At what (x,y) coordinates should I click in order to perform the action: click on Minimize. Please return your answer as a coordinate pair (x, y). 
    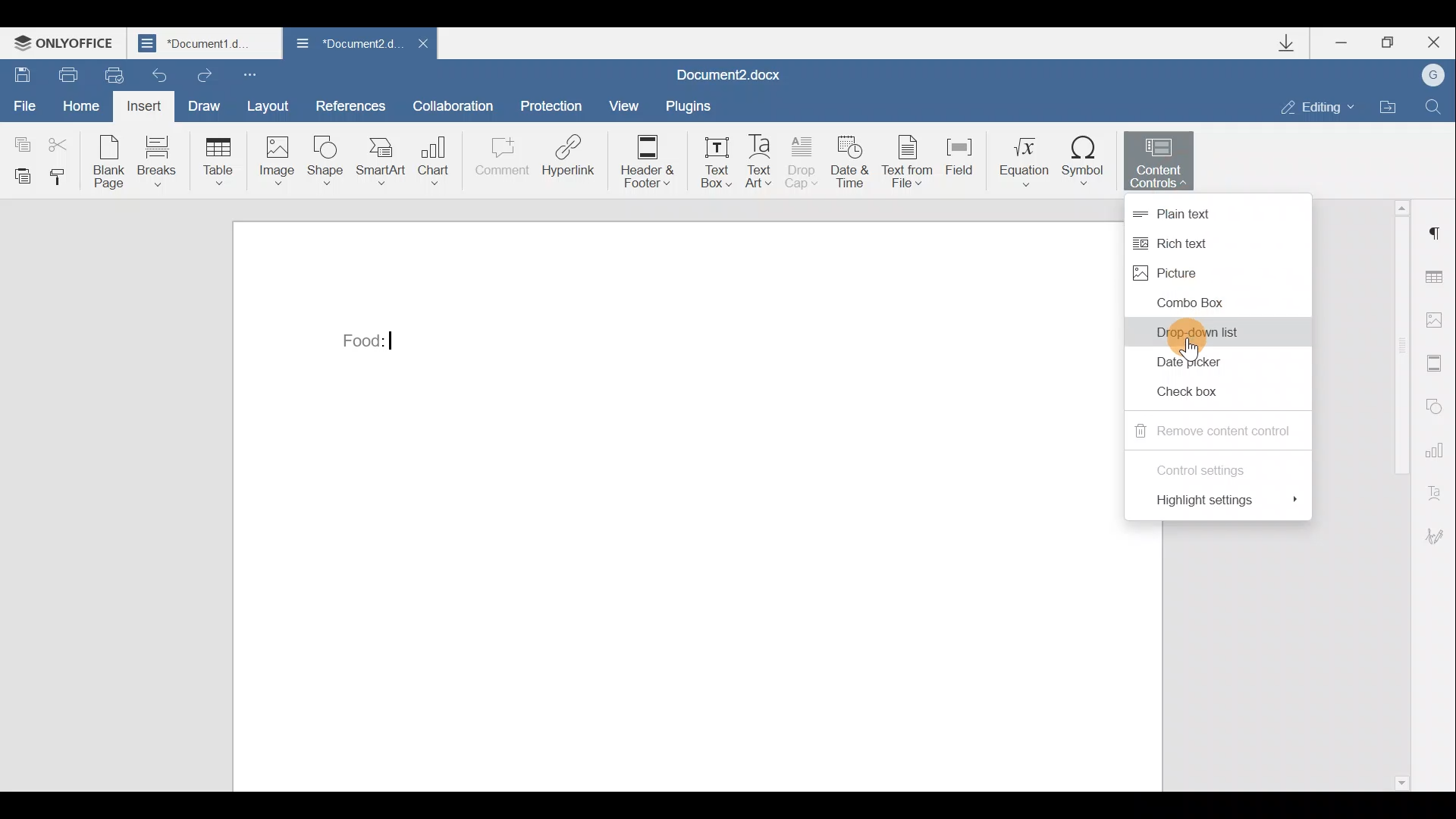
    Looking at the image, I should click on (1348, 45).